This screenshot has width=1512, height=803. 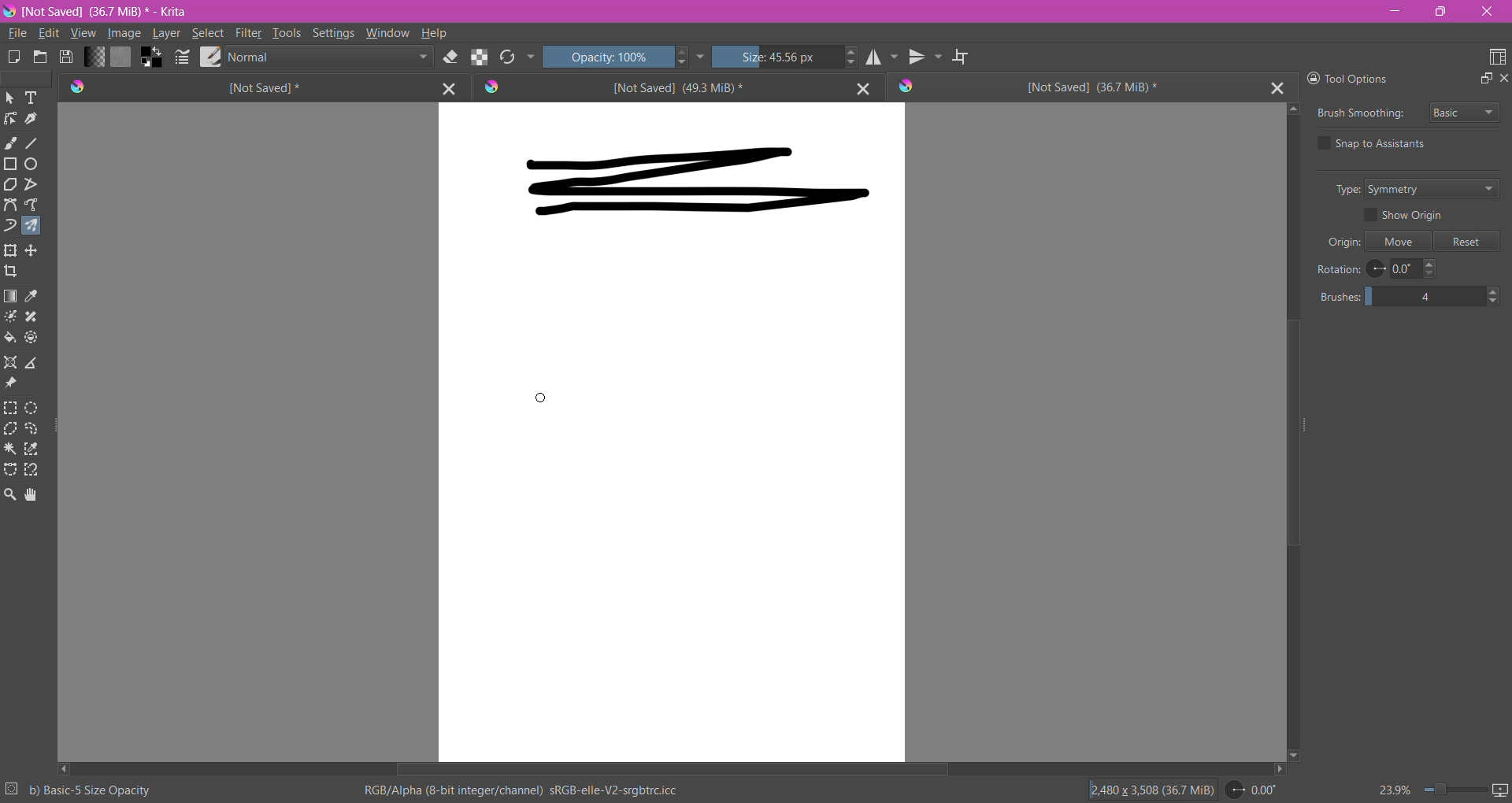 I want to click on Set Type, so click(x=1440, y=190).